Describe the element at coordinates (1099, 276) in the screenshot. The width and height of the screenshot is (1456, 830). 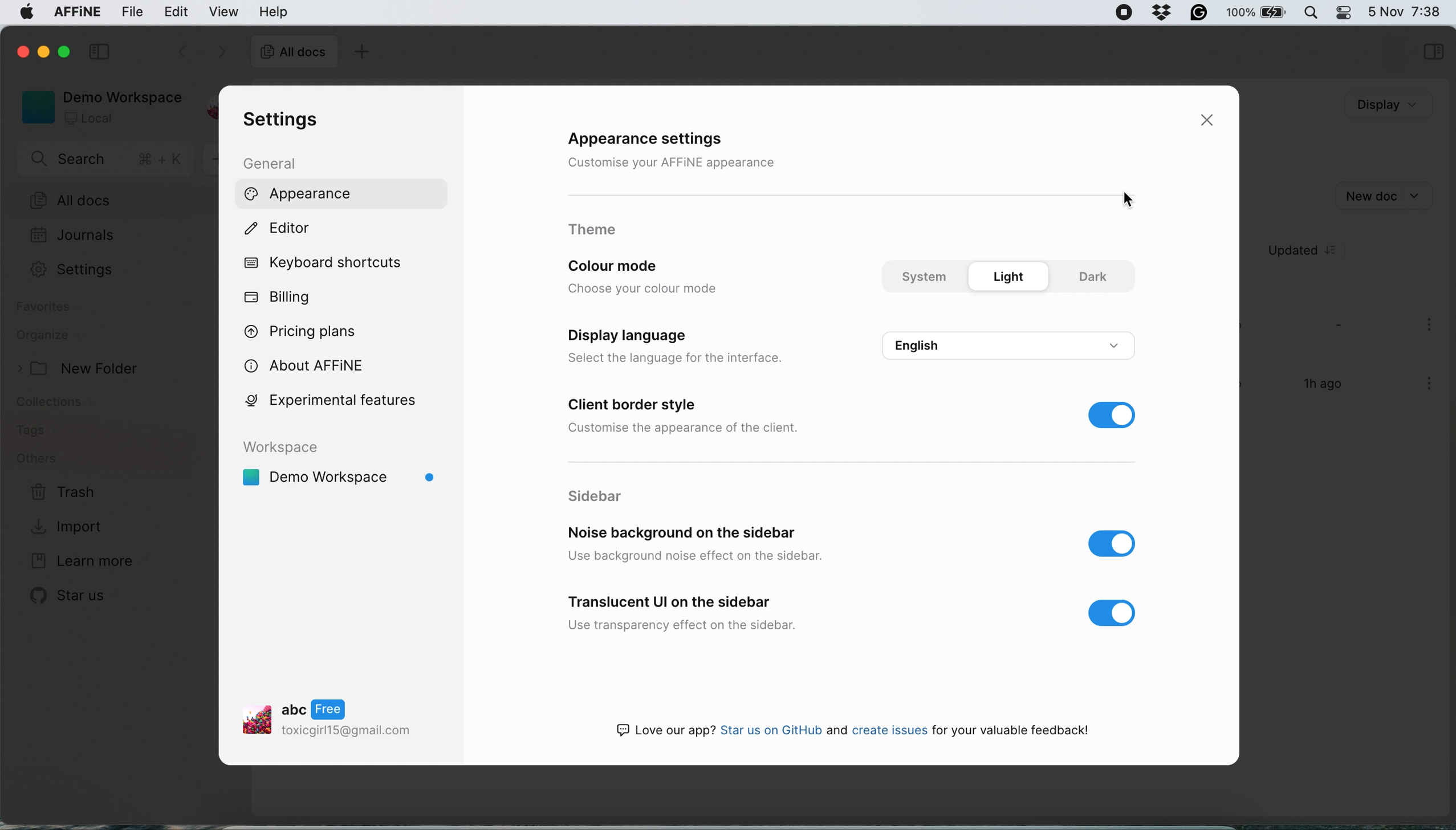
I see `dark` at that location.